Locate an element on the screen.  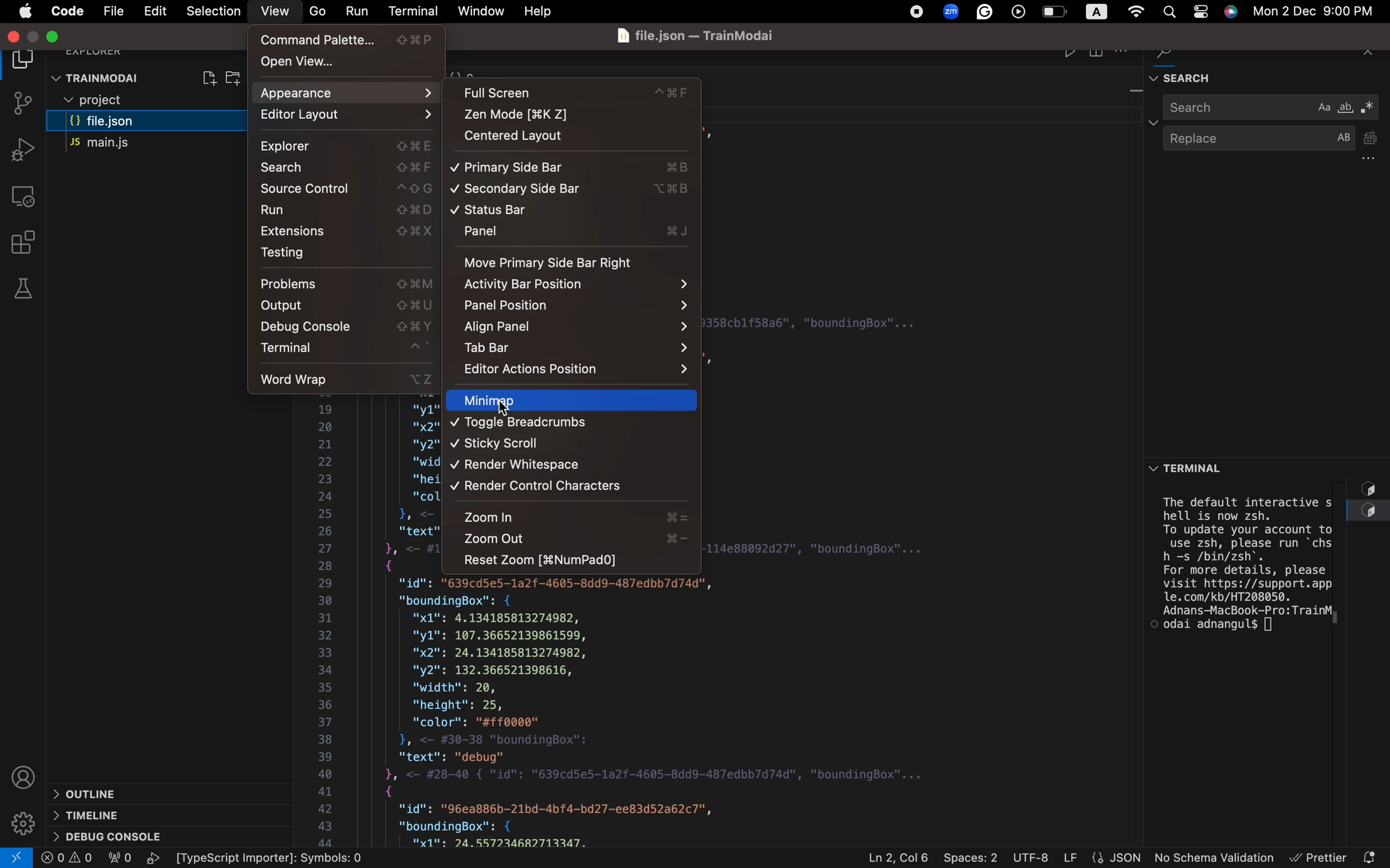
terminal is located at coordinates (409, 9).